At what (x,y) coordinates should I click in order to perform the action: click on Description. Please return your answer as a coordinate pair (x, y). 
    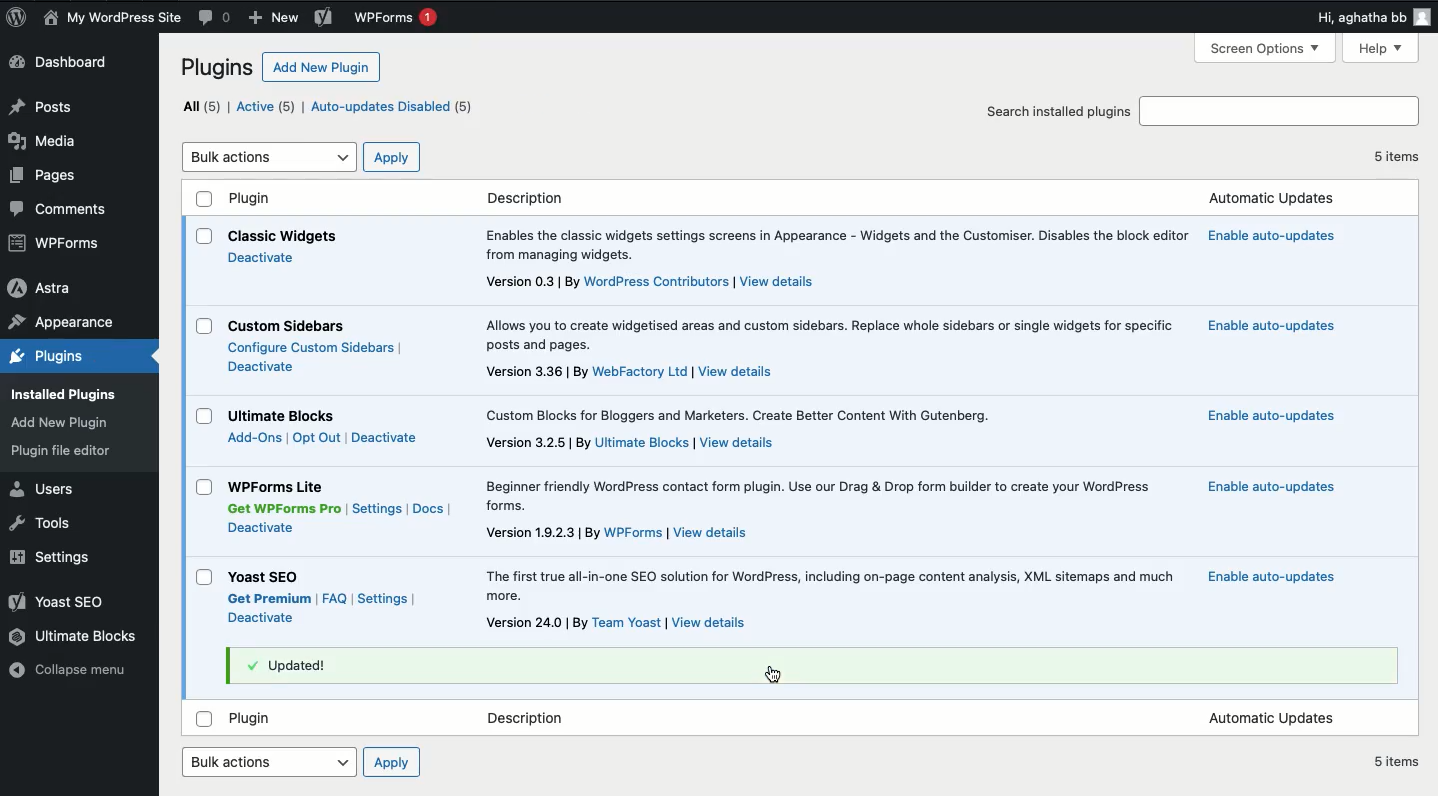
    Looking at the image, I should click on (823, 496).